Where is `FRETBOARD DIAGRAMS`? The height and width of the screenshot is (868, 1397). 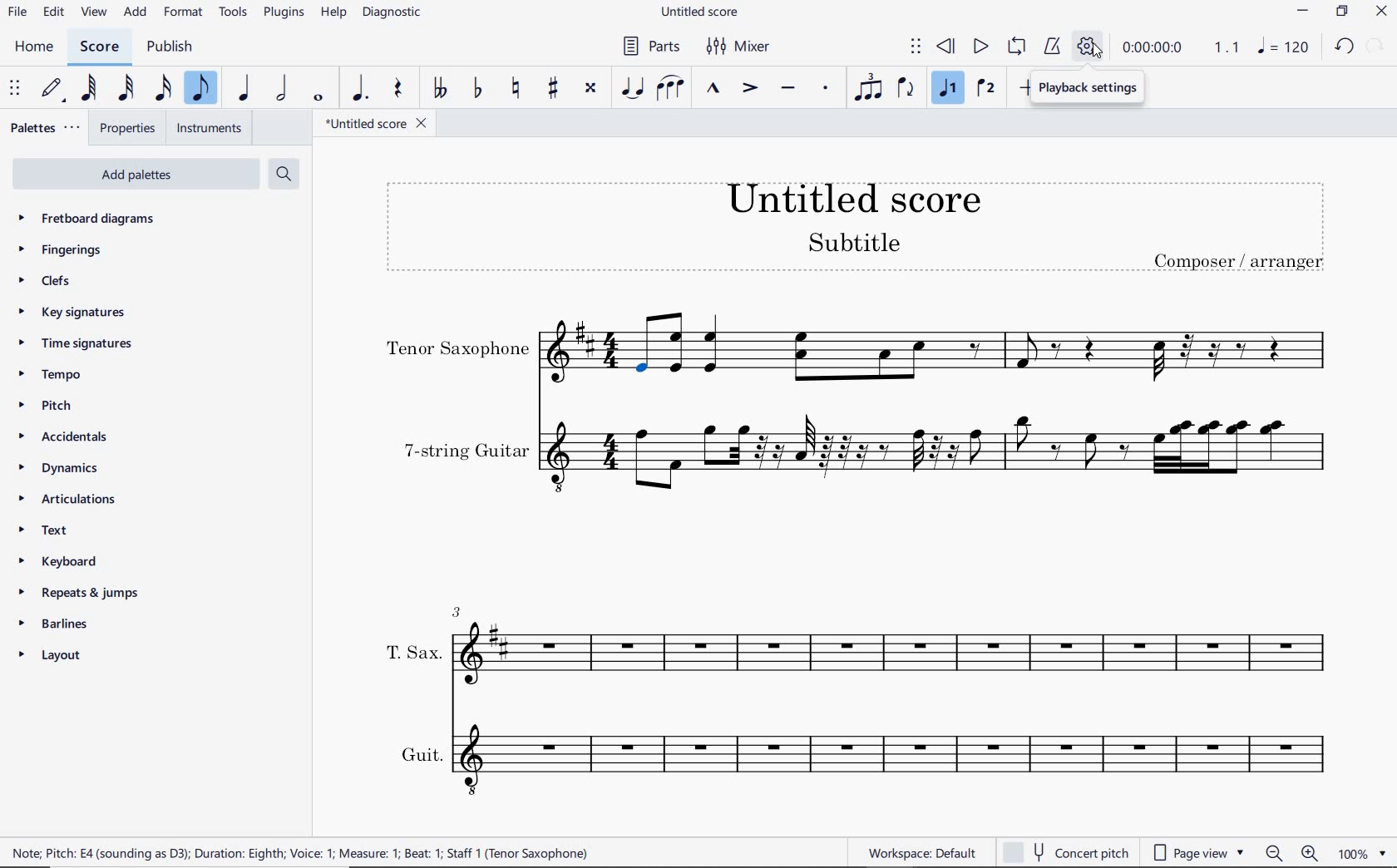
FRETBOARD DIAGRAMS is located at coordinates (88, 218).